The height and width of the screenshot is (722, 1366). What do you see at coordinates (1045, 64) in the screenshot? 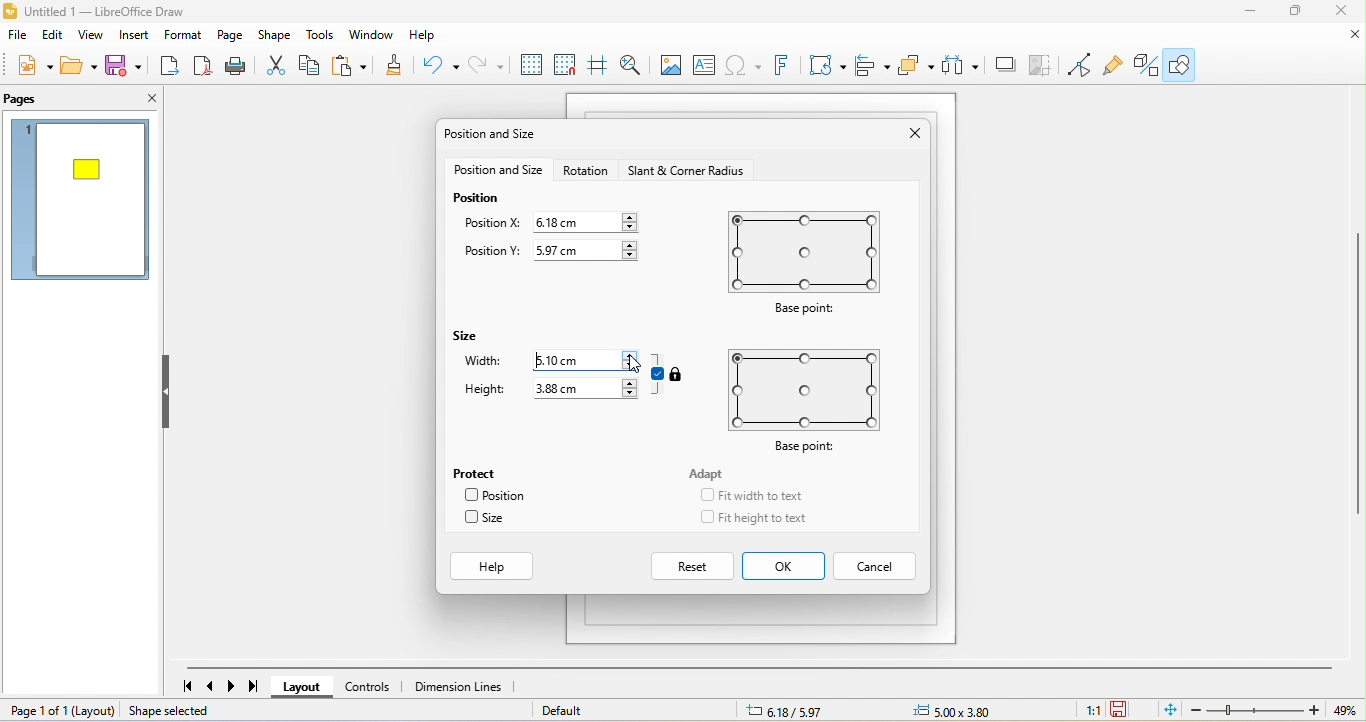
I see `crop image` at bounding box center [1045, 64].